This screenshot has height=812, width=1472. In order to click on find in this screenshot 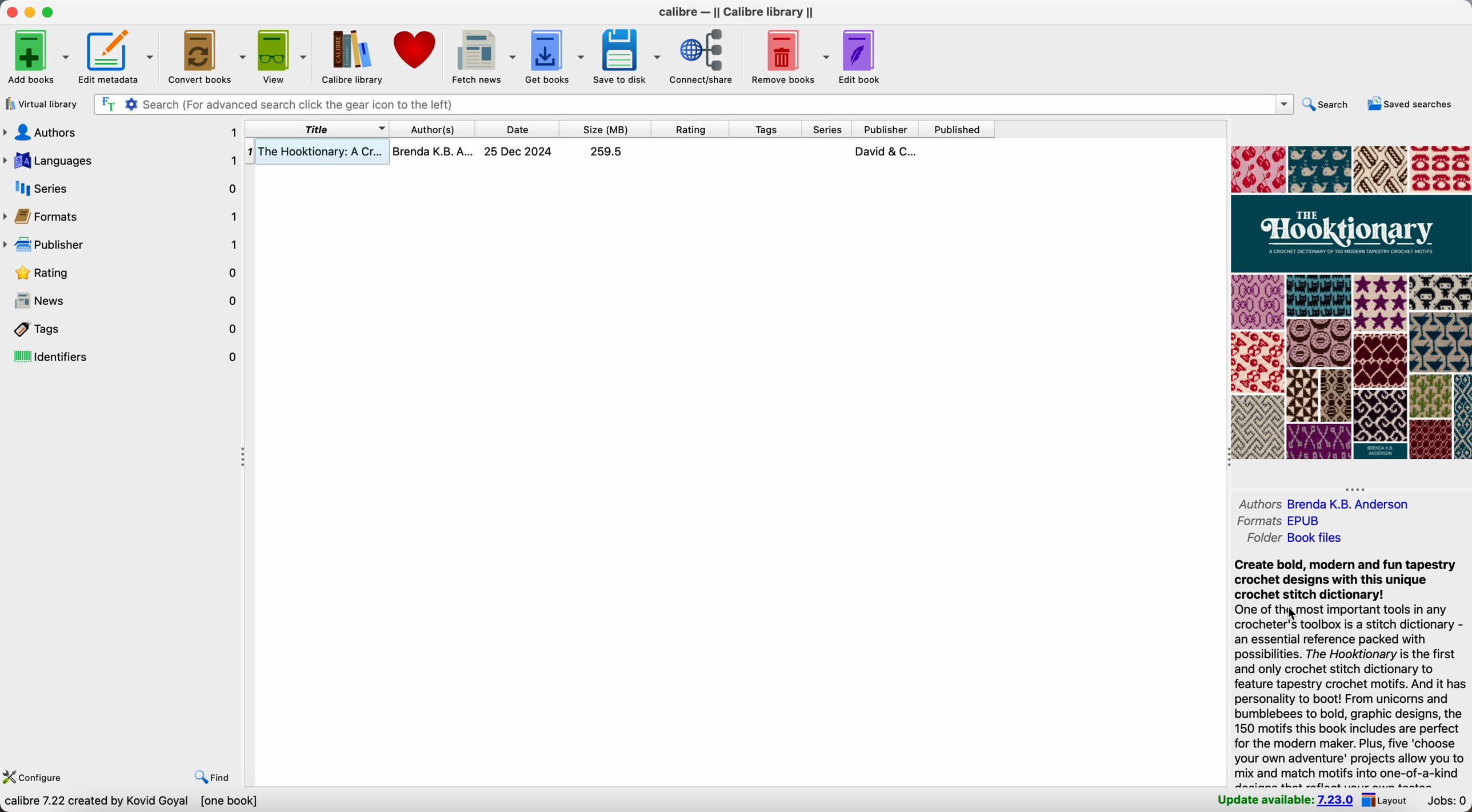, I will do `click(211, 778)`.